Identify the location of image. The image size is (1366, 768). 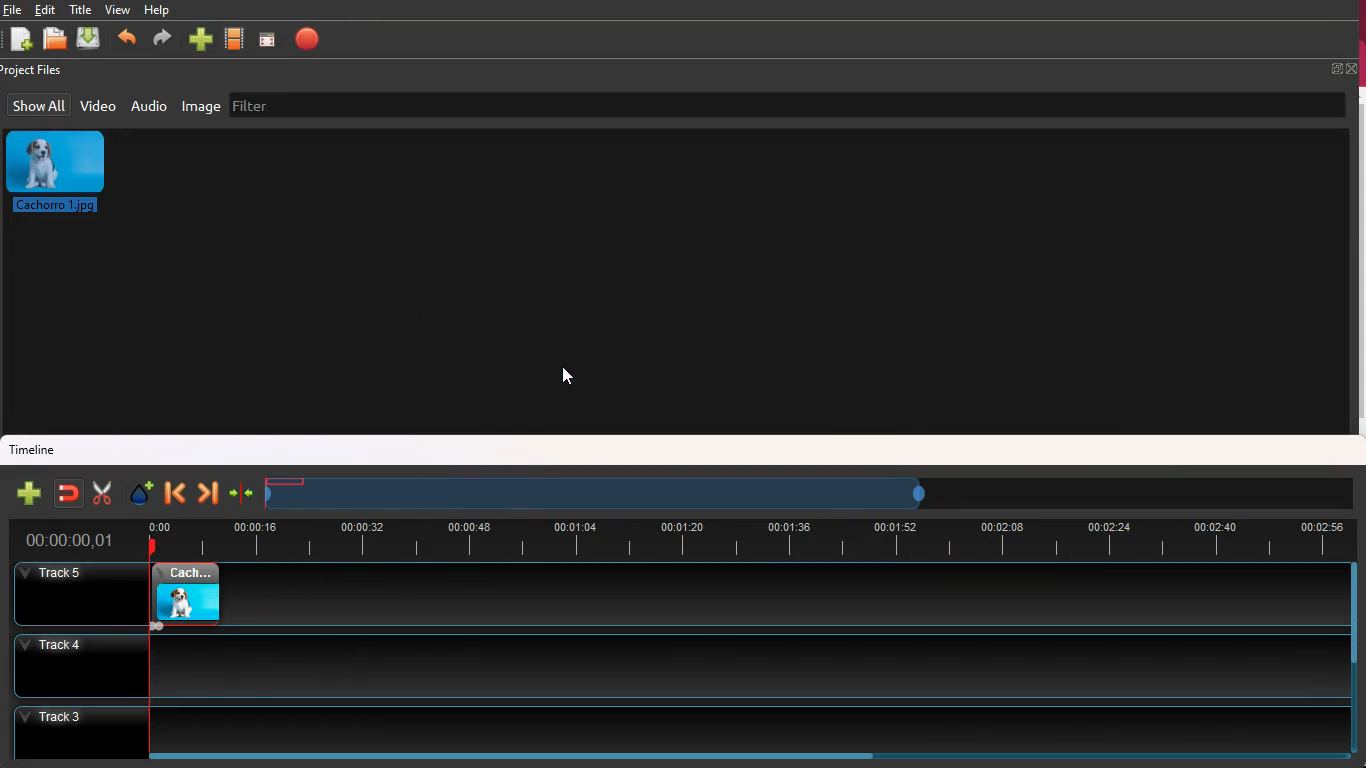
(201, 108).